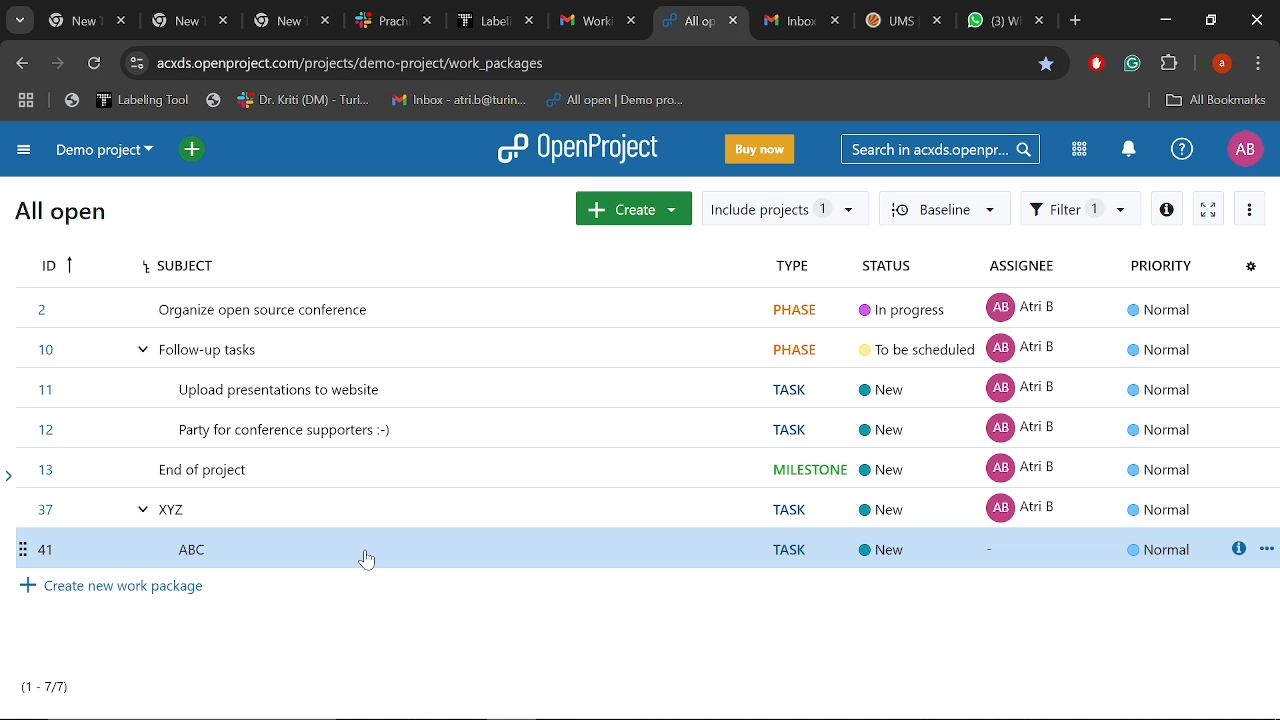  What do you see at coordinates (95, 66) in the screenshot?
I see `Refresh` at bounding box center [95, 66].